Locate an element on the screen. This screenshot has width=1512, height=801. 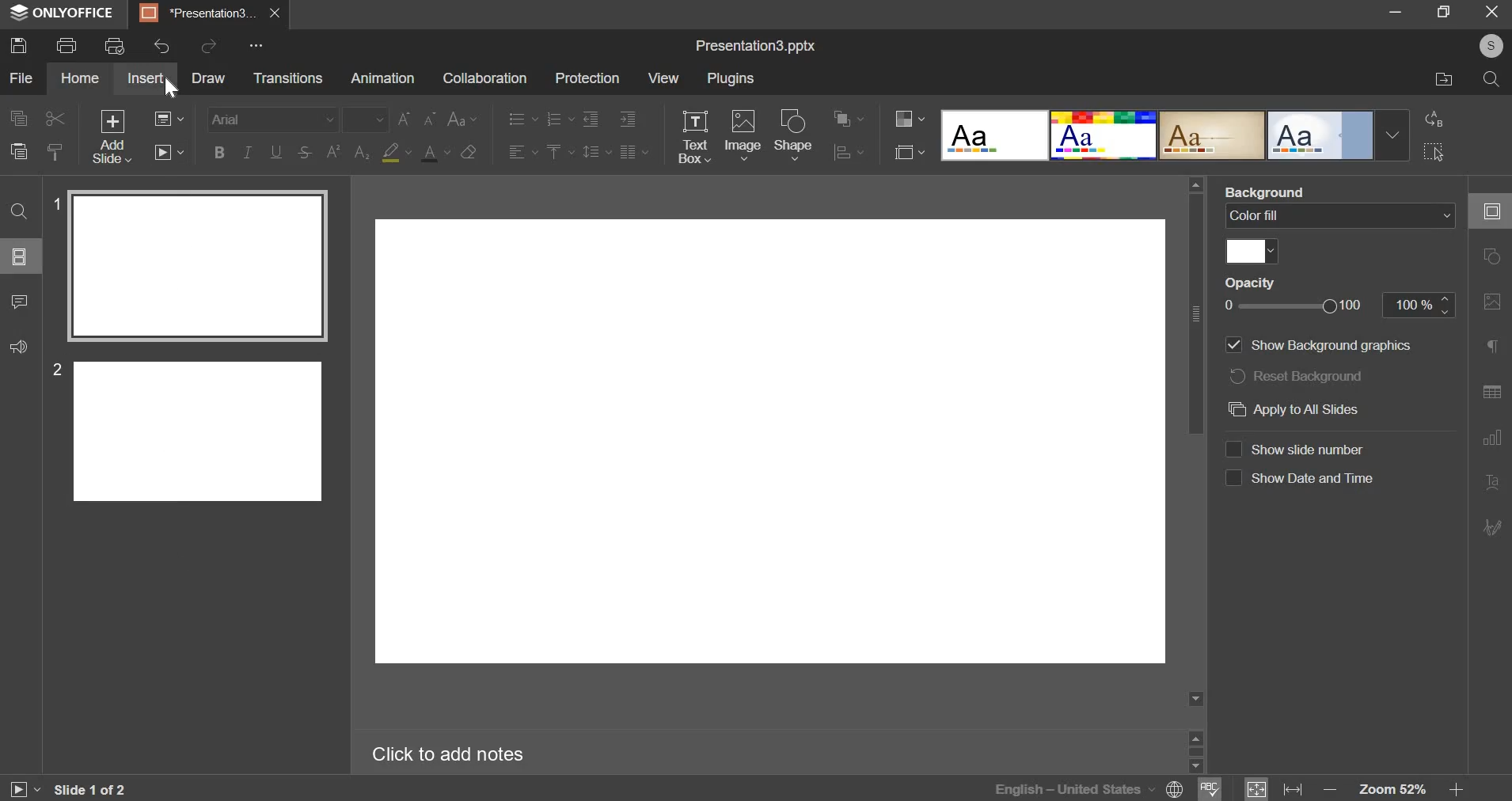
chart is located at coordinates (850, 154).